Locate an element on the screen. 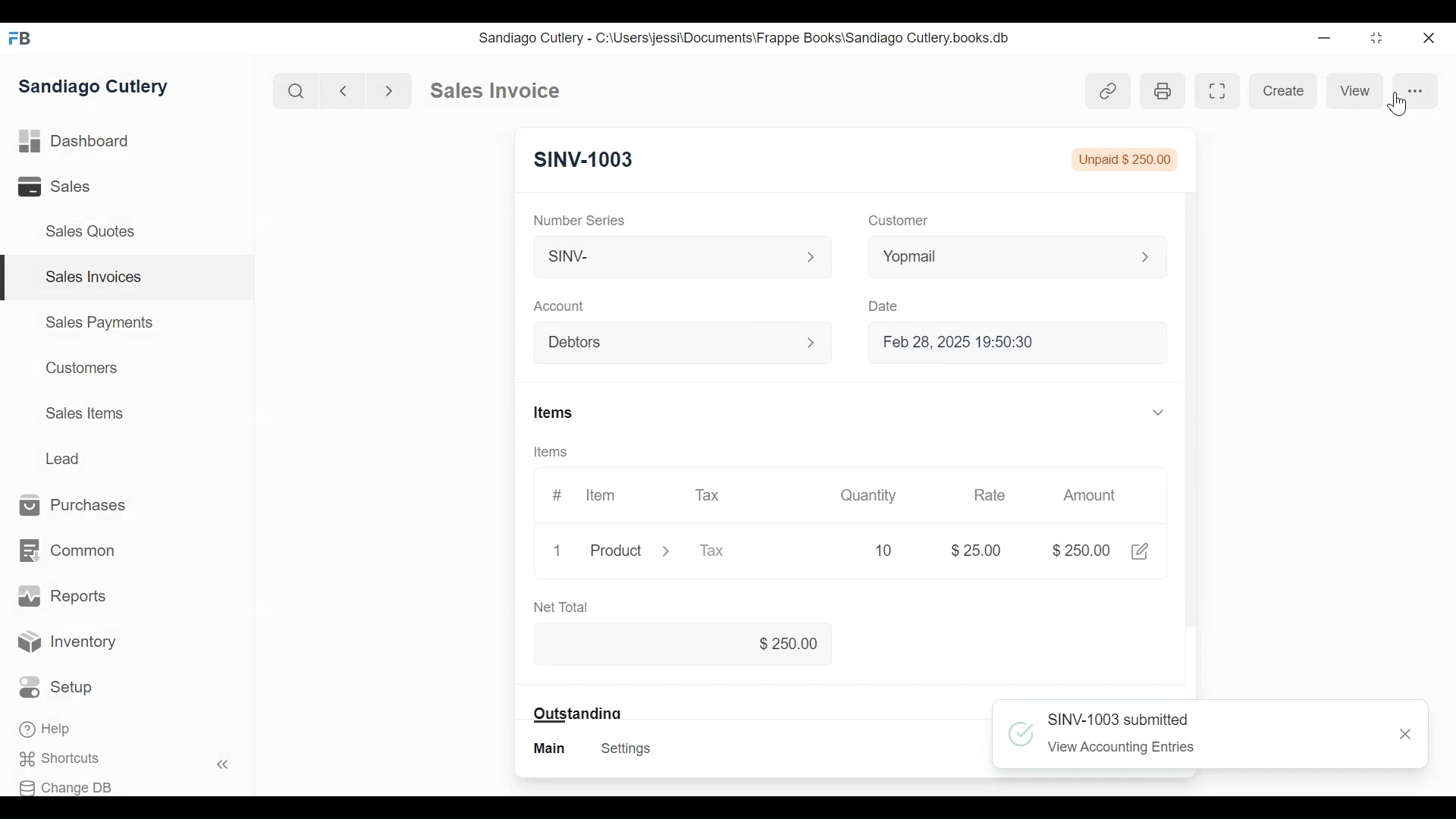 Image resolution: width=1456 pixels, height=819 pixels. Dashboard is located at coordinates (75, 140).